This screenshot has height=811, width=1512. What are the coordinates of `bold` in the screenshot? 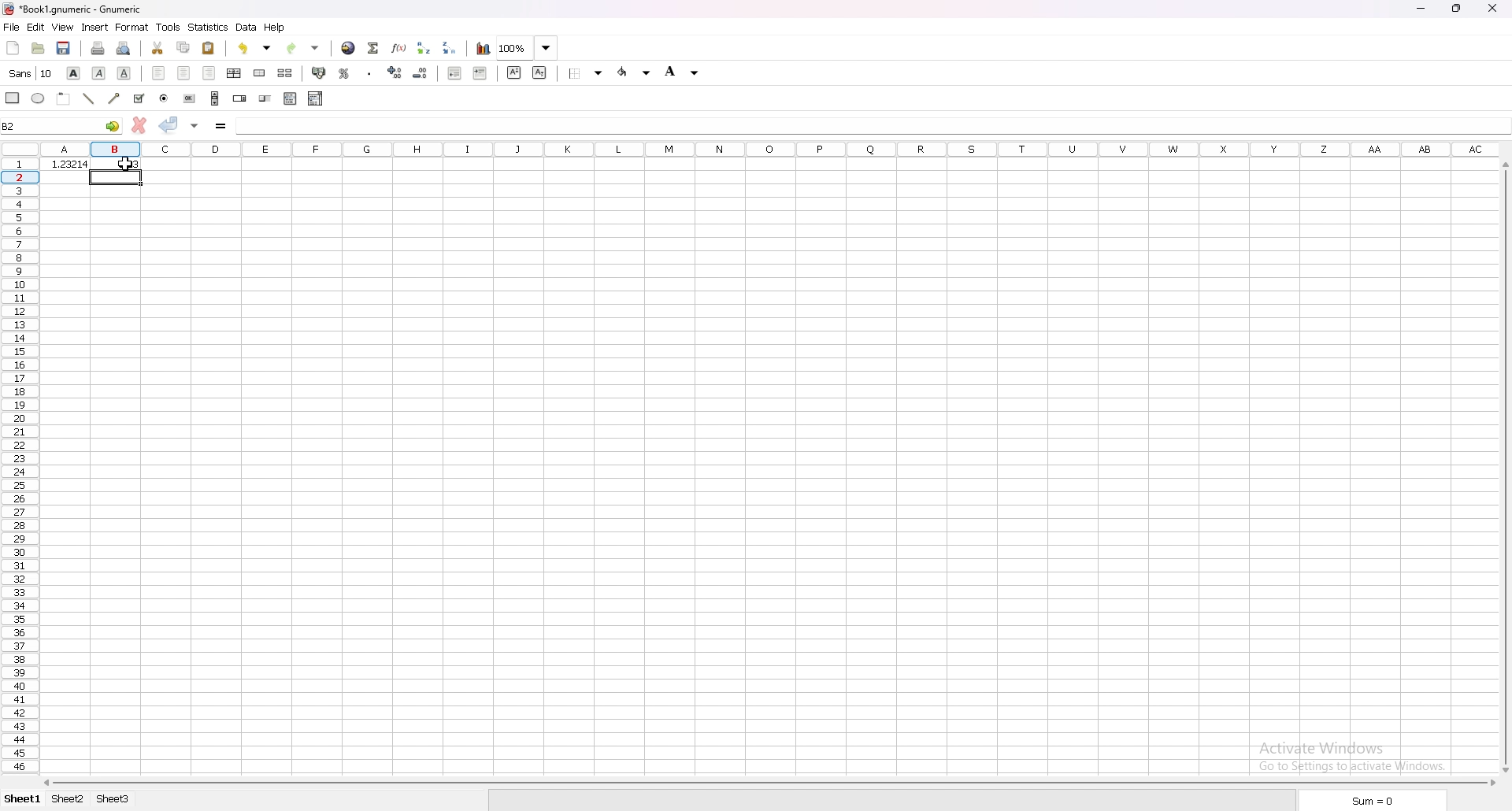 It's located at (74, 73).